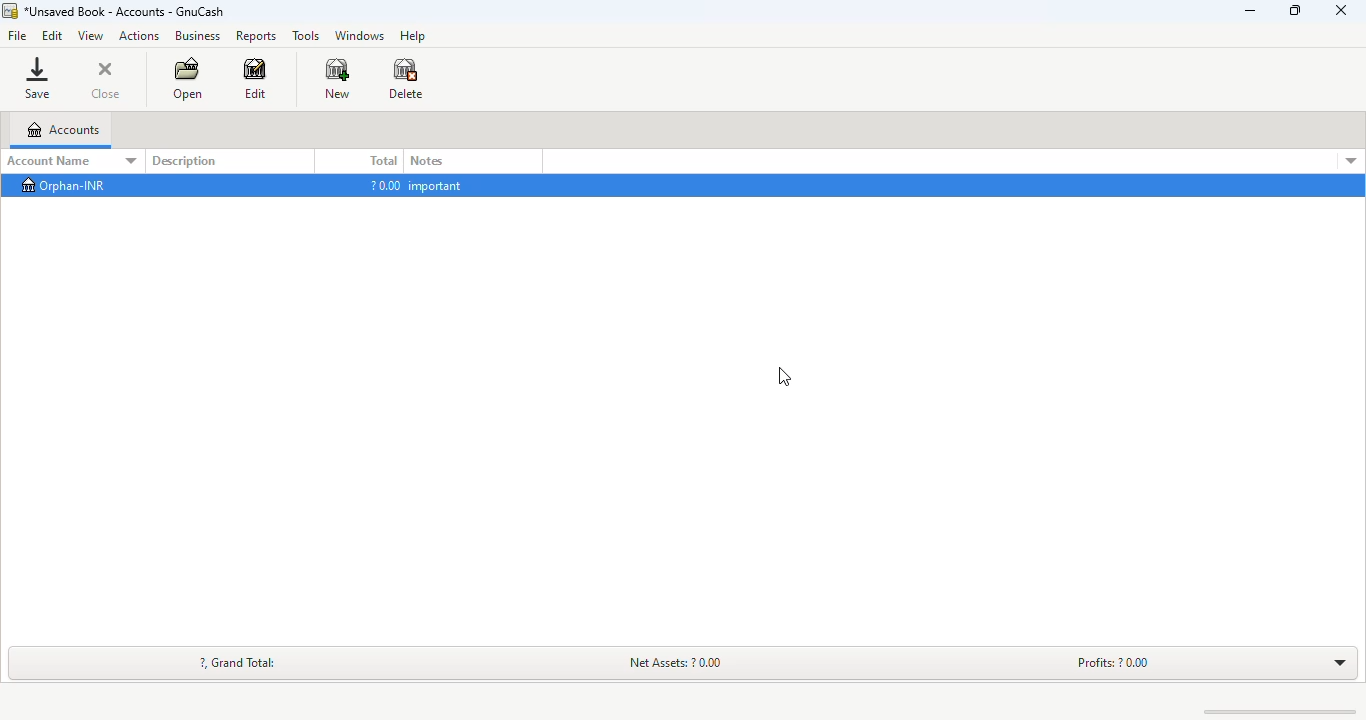 The image size is (1366, 720). I want to click on ?, grand total: , so click(238, 663).